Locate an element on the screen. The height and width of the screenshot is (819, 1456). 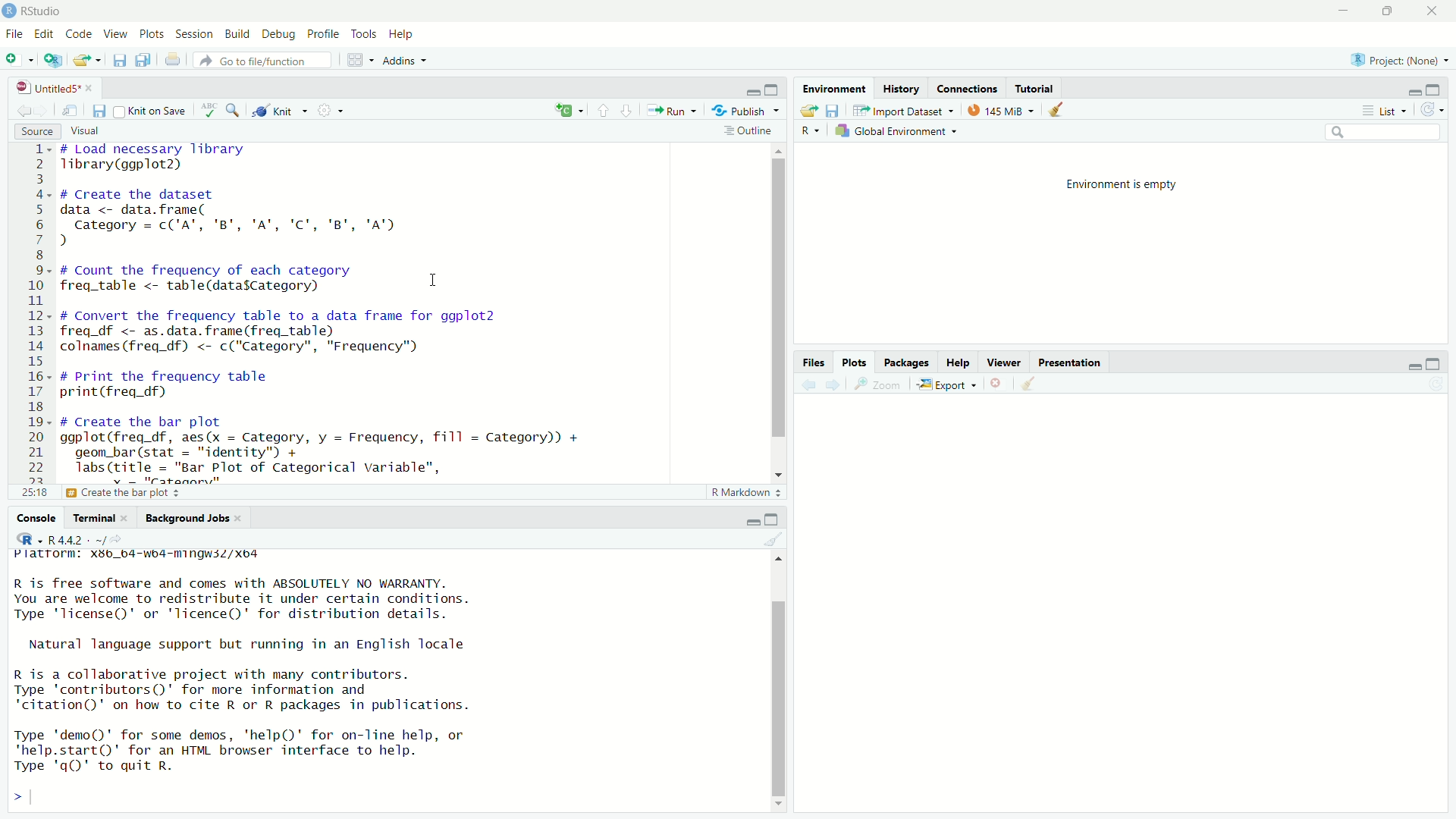
maximize is located at coordinates (1435, 365).